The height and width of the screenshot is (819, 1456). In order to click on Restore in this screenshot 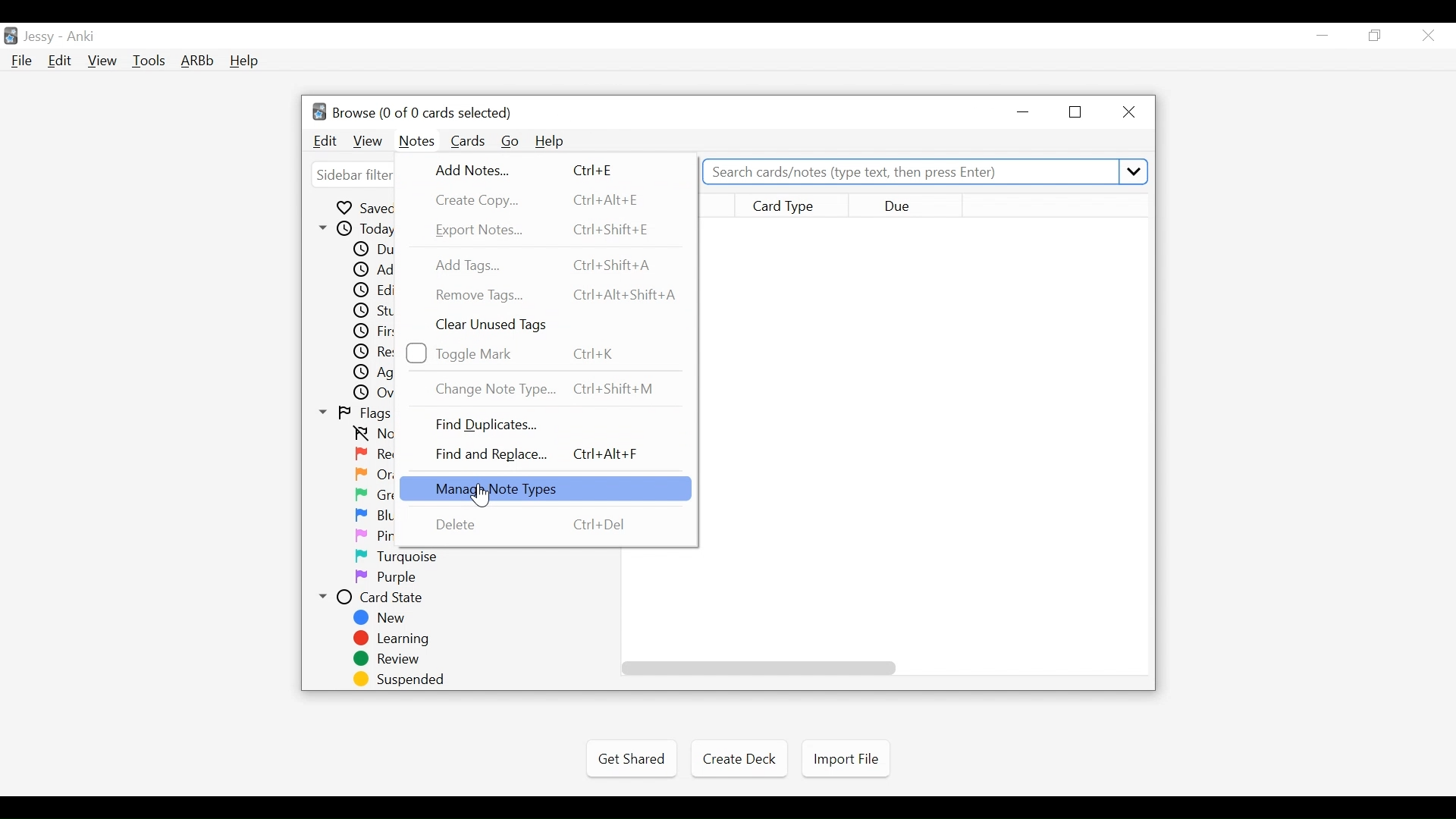, I will do `click(1376, 36)`.